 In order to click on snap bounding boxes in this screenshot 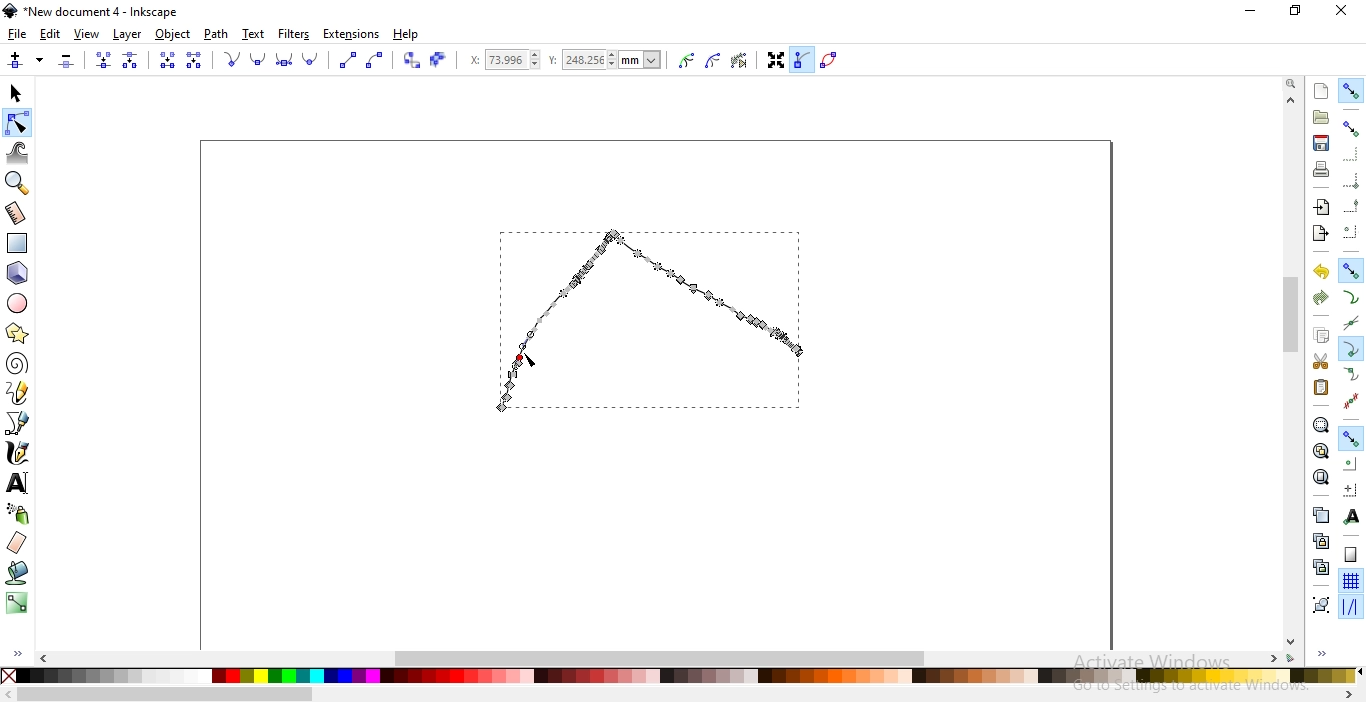, I will do `click(1351, 127)`.